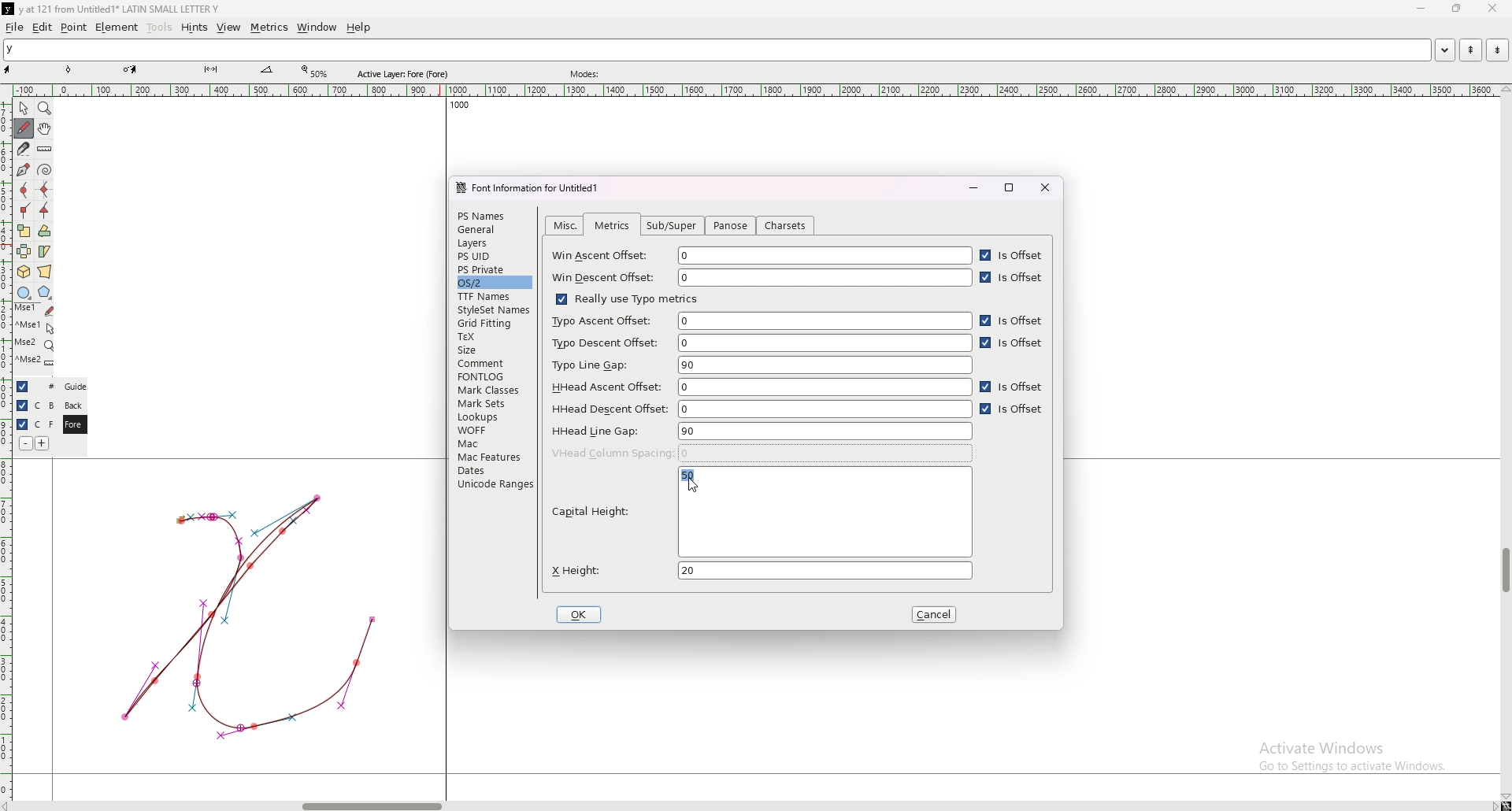  I want to click on file, so click(15, 27).